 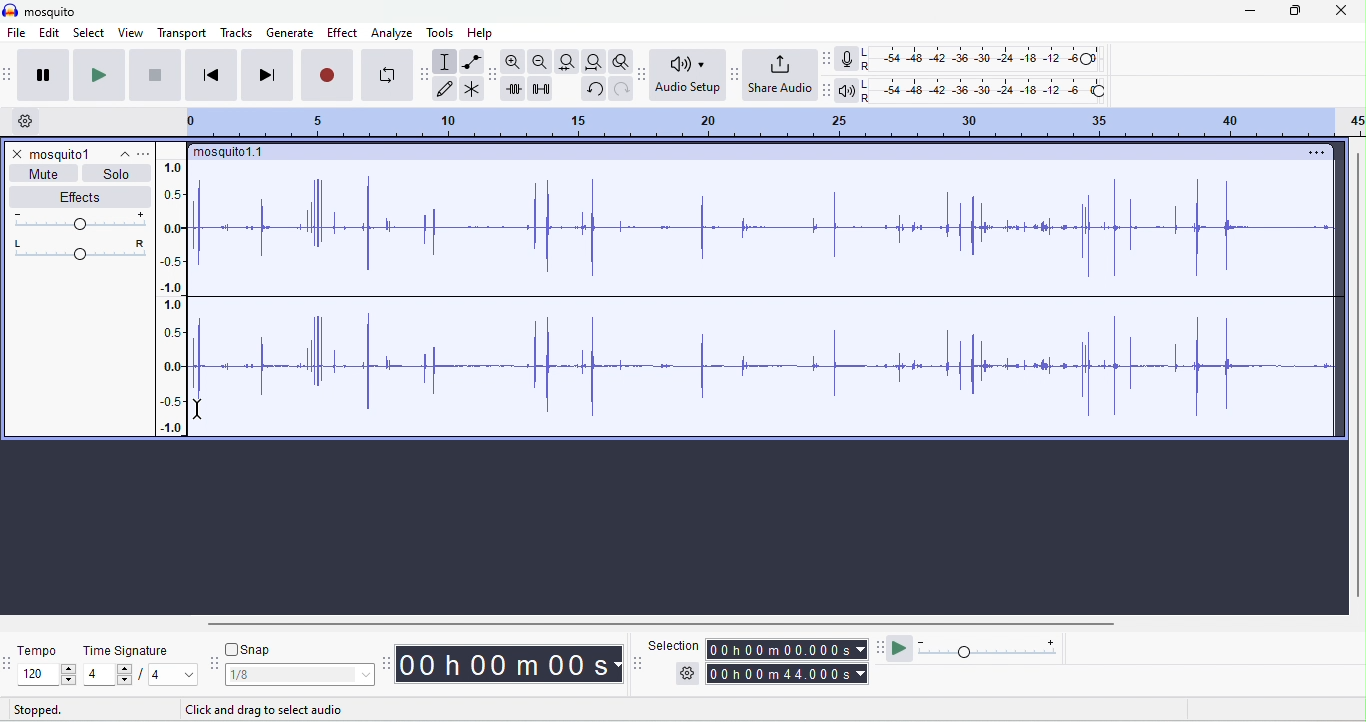 I want to click on minimize, so click(x=1246, y=11).